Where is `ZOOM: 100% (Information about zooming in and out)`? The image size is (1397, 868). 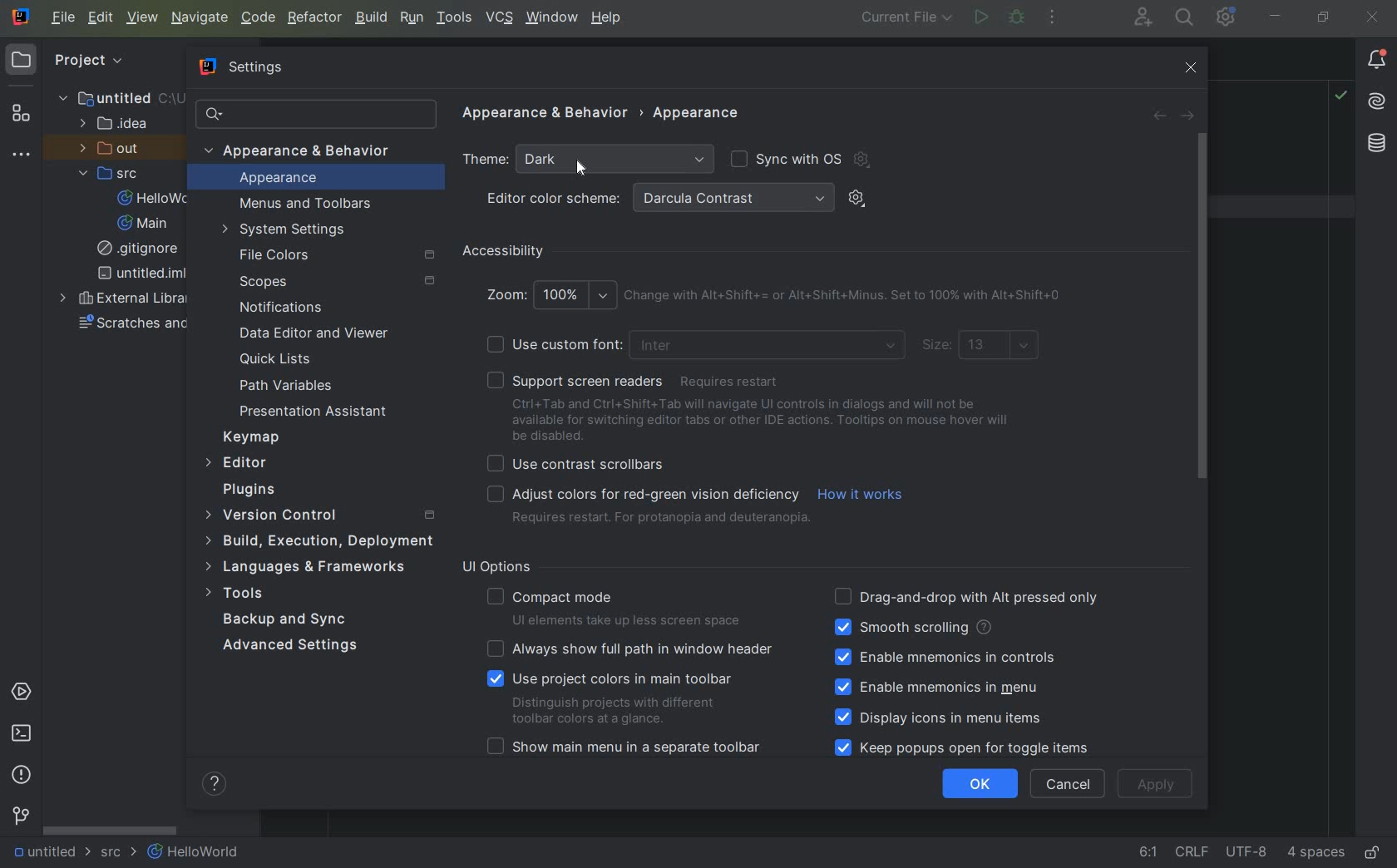 ZOOM: 100% (Information about zooming in and out) is located at coordinates (780, 294).